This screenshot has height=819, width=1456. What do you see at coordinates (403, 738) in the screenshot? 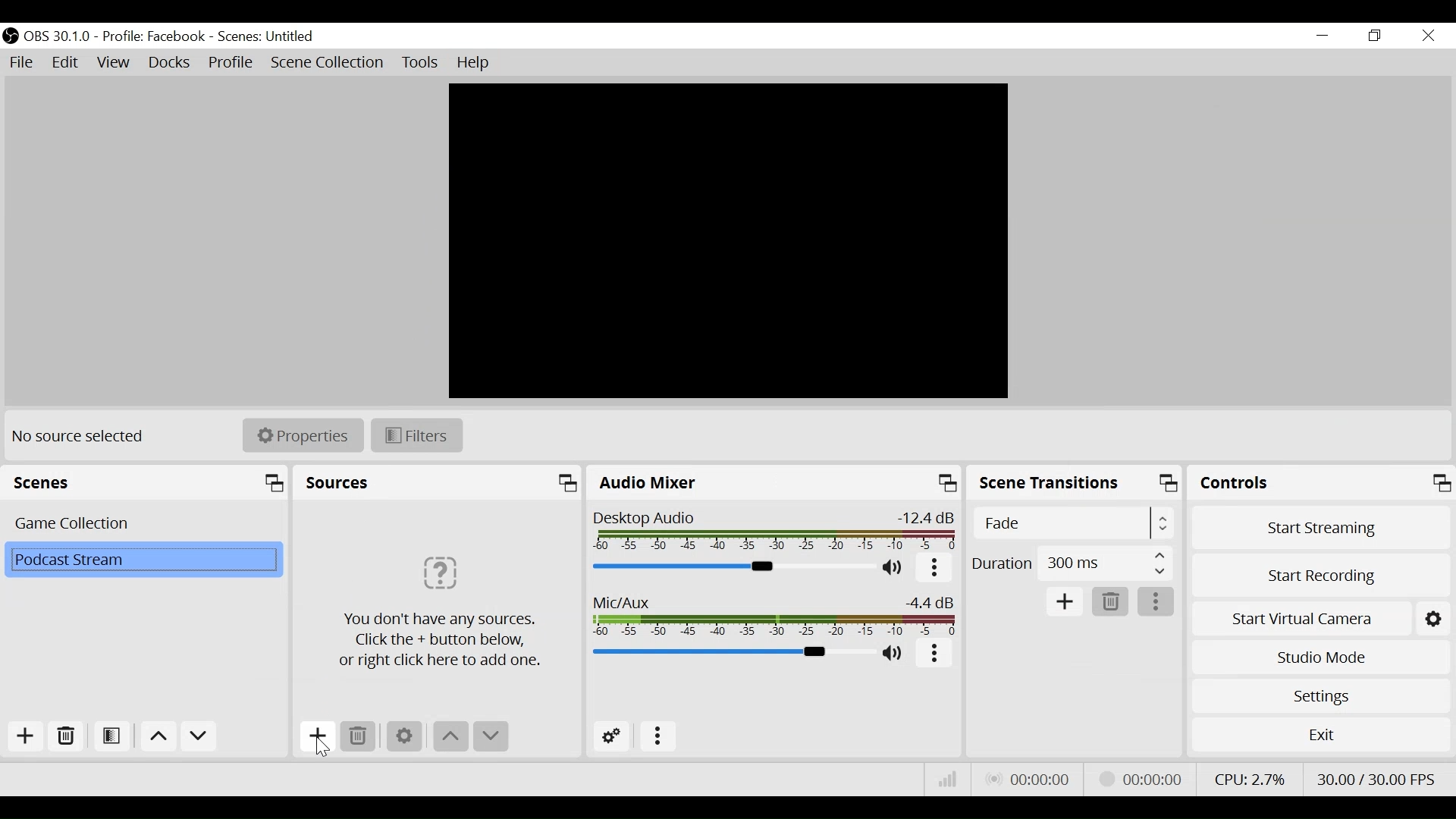
I see `Settings` at bounding box center [403, 738].